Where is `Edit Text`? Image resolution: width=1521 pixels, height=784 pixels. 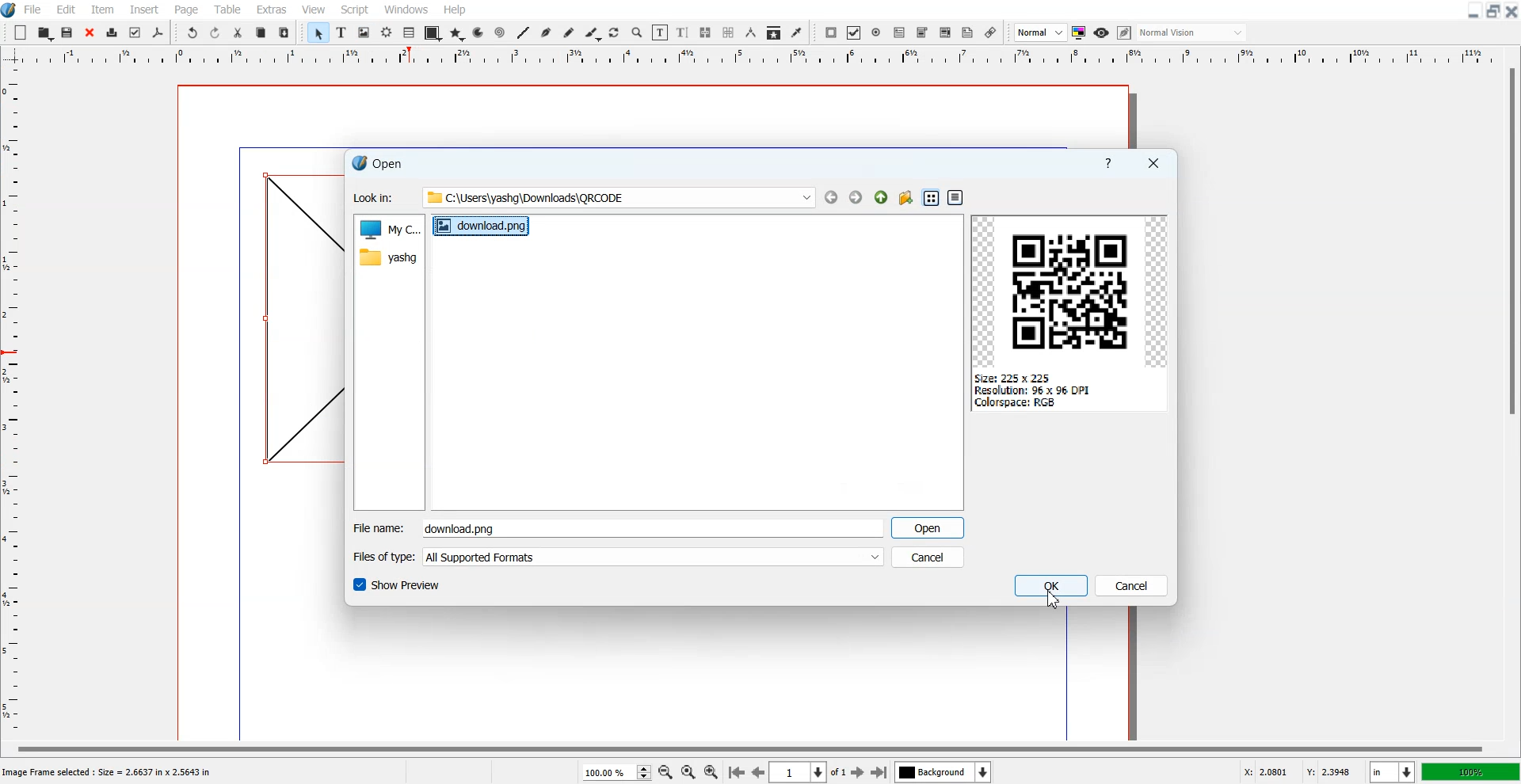 Edit Text is located at coordinates (683, 32).